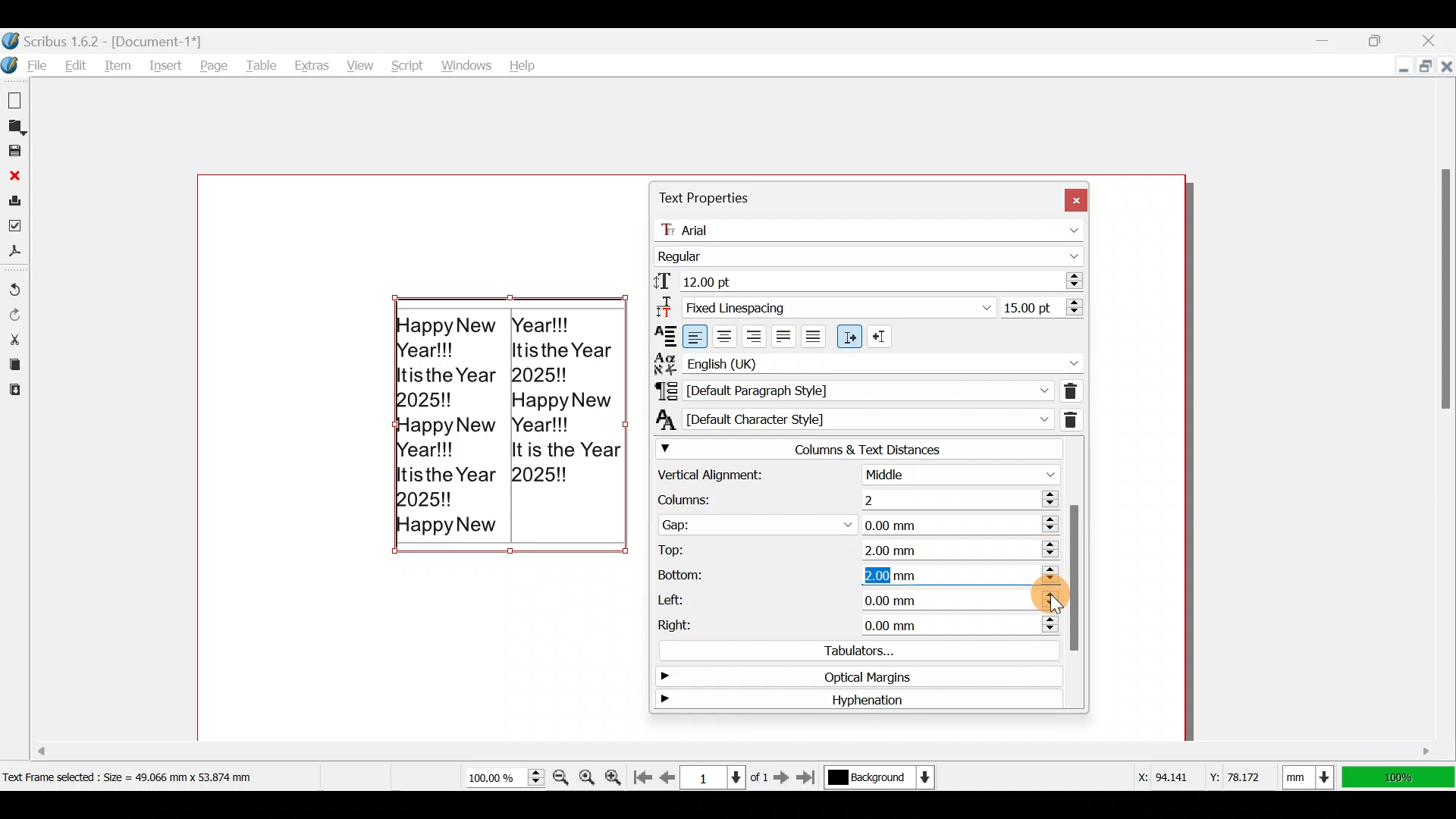 This screenshot has width=1456, height=819. I want to click on Right, so click(852, 627).